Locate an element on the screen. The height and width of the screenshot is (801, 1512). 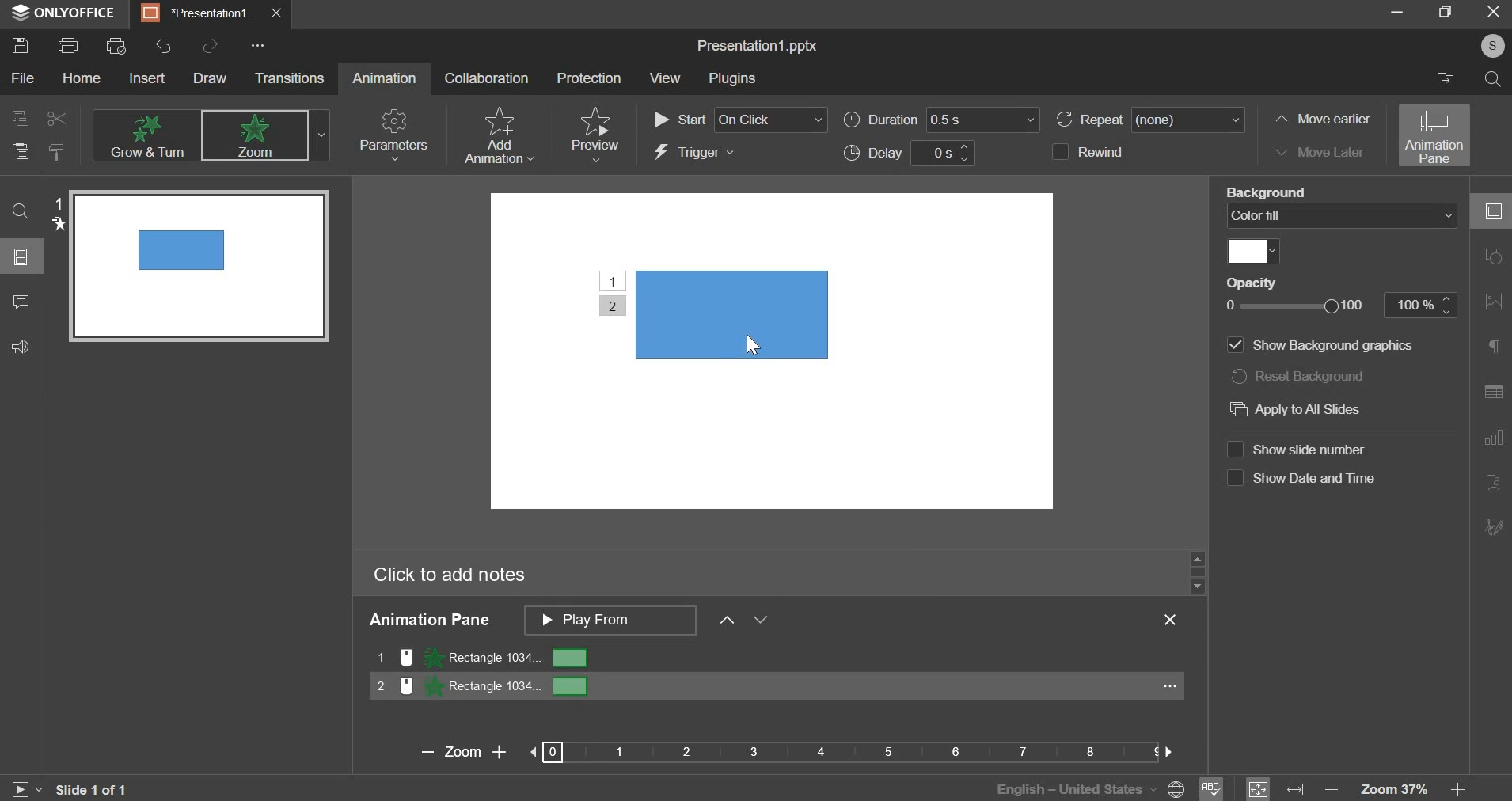
Language is located at coordinates (1176, 788).